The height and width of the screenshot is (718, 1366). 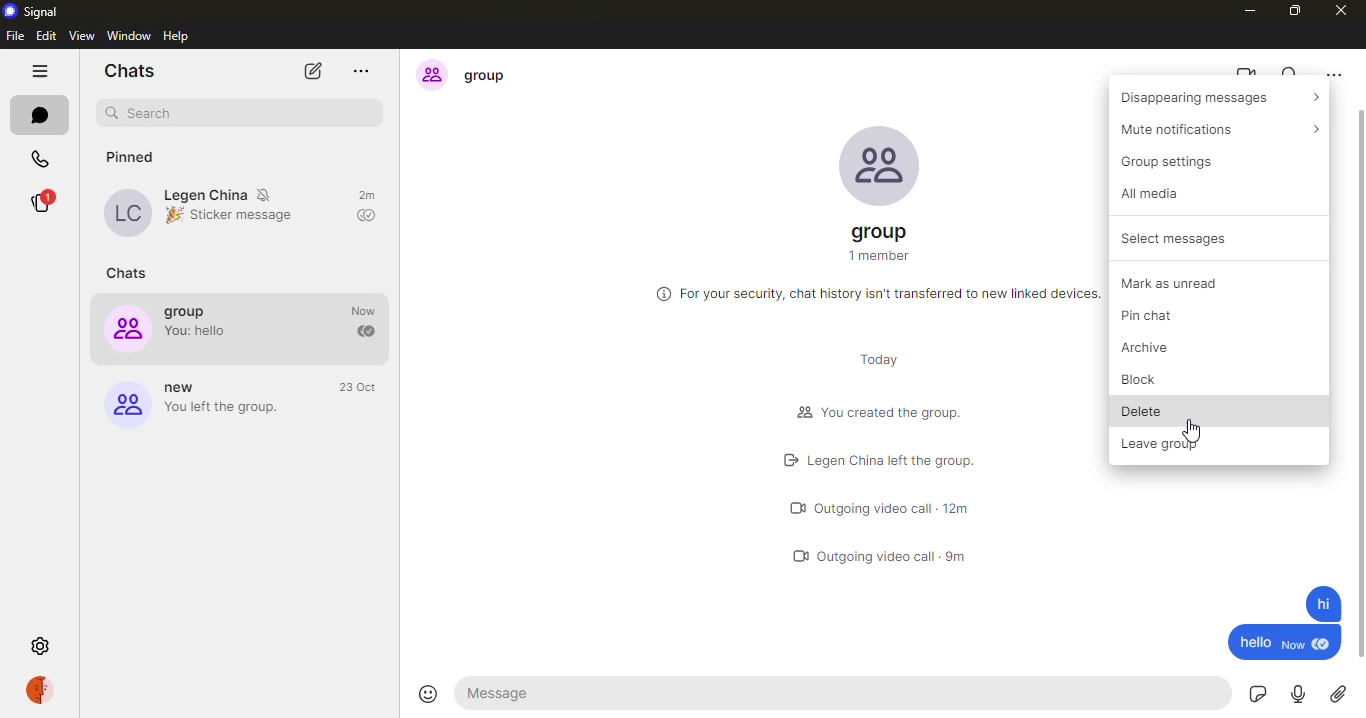 I want to click on new, so click(x=183, y=387).